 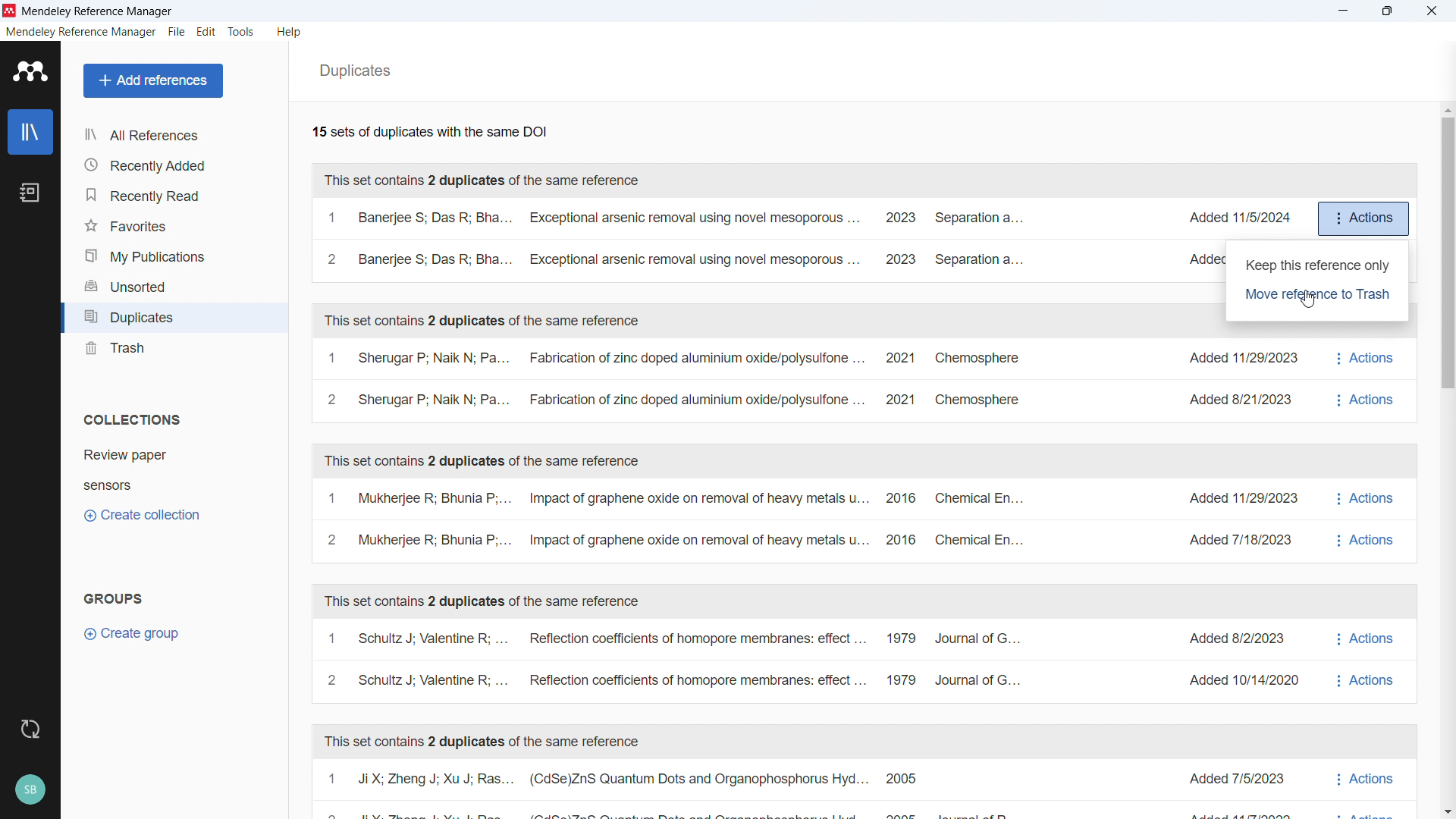 What do you see at coordinates (482, 742) in the screenshot?
I see `This set contains two duplicates of the same reference` at bounding box center [482, 742].